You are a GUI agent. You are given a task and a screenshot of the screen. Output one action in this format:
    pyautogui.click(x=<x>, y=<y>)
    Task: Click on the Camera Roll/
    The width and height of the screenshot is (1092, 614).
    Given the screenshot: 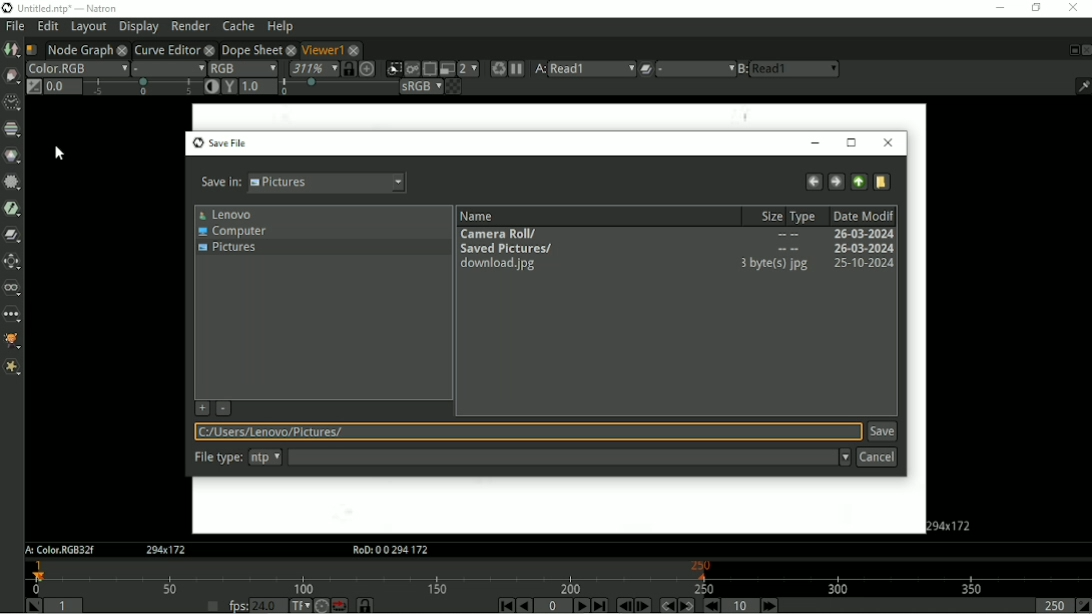 What is the action you would take?
    pyautogui.click(x=678, y=235)
    